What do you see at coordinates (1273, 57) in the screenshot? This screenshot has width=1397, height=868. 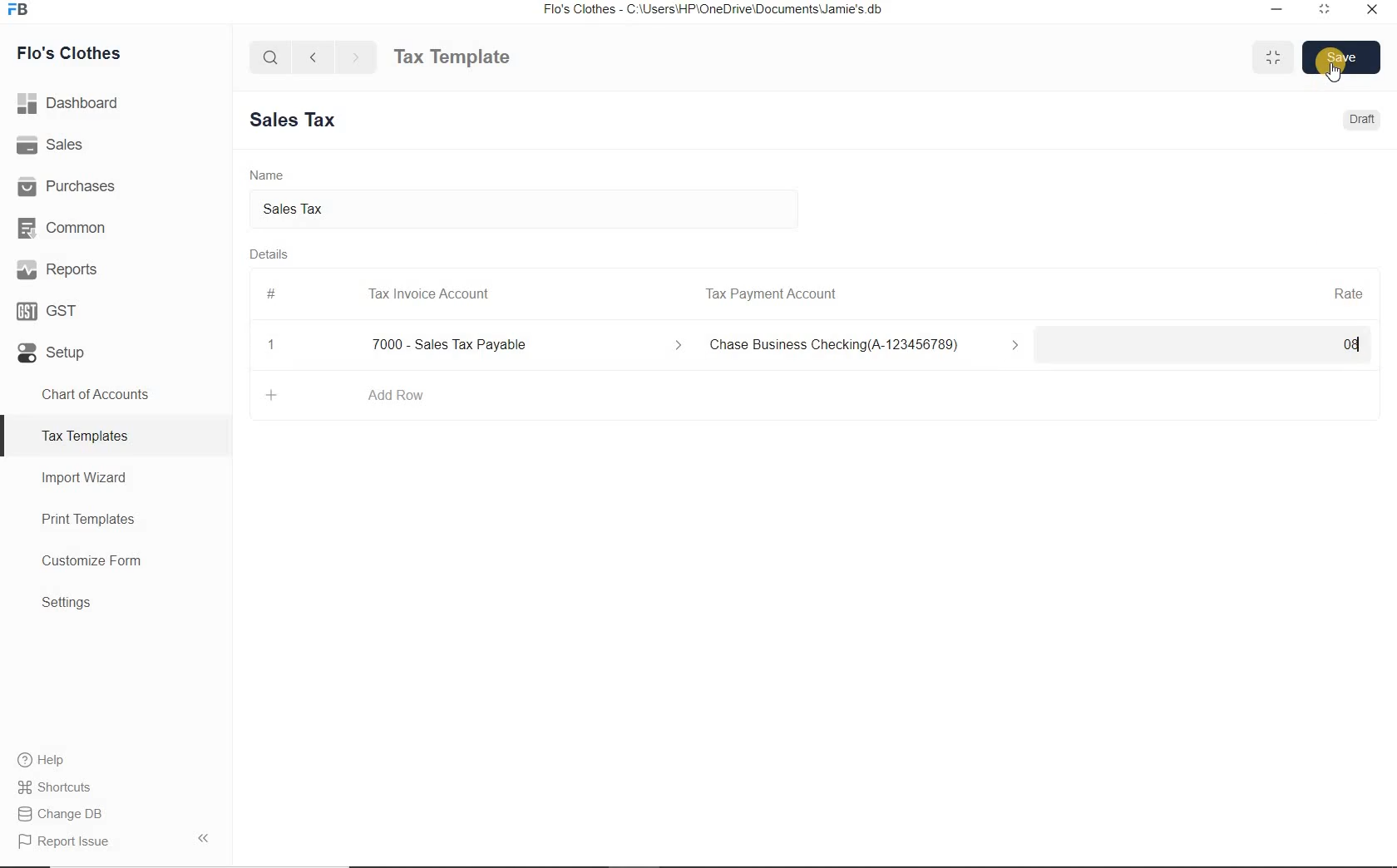 I see `Maximize` at bounding box center [1273, 57].